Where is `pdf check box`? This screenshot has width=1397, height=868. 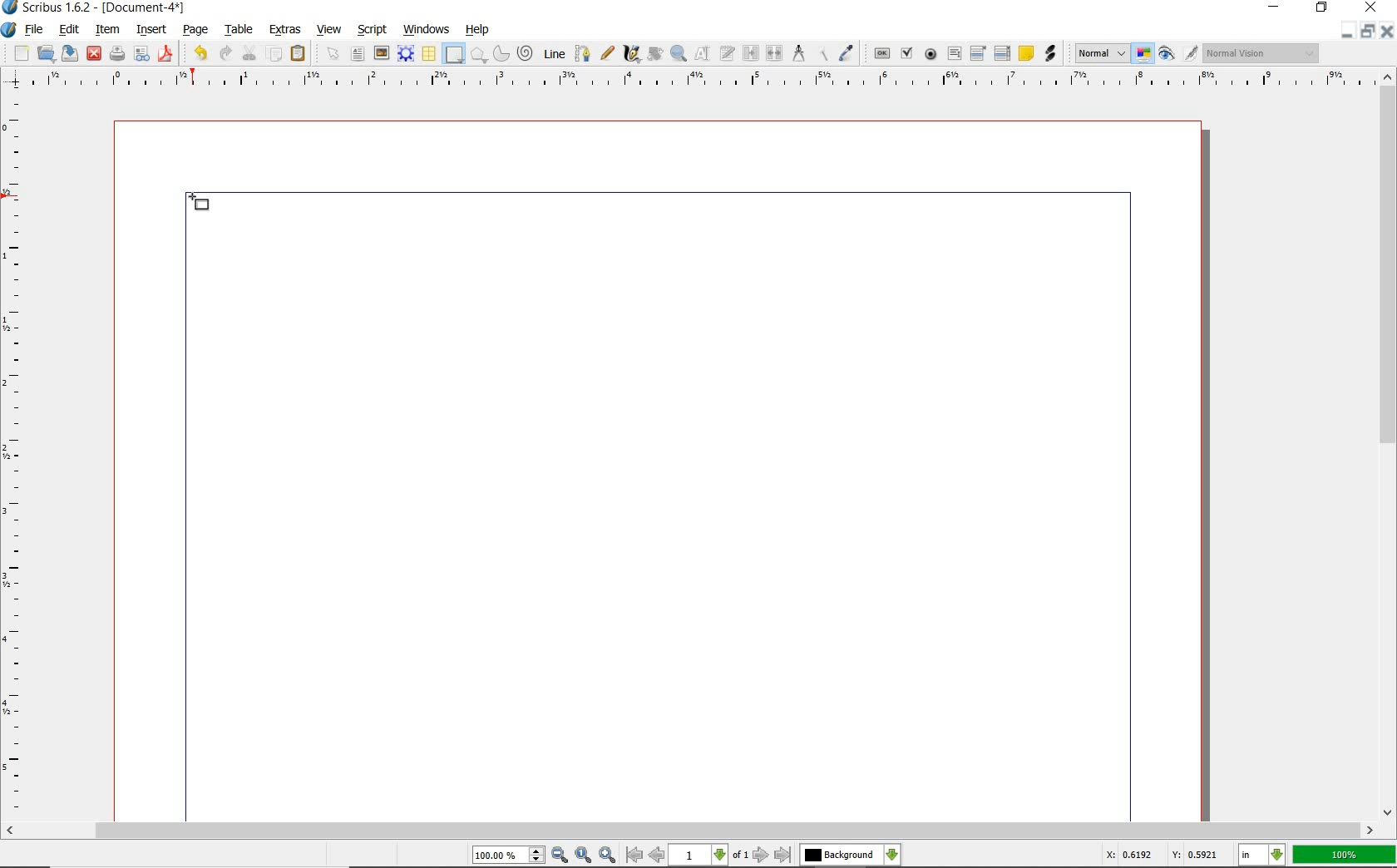 pdf check box is located at coordinates (906, 52).